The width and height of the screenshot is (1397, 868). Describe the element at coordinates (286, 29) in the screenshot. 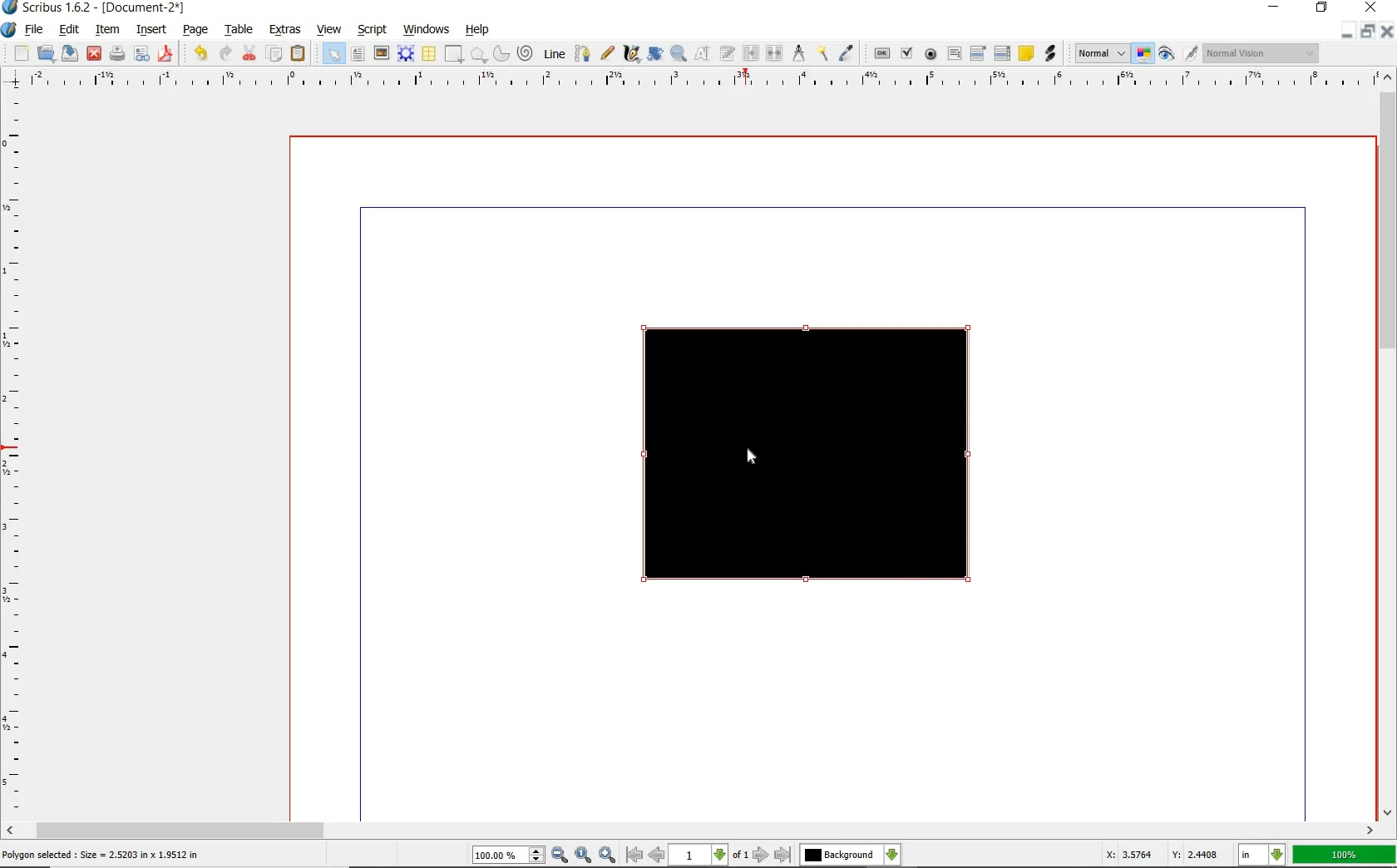

I see `extras` at that location.